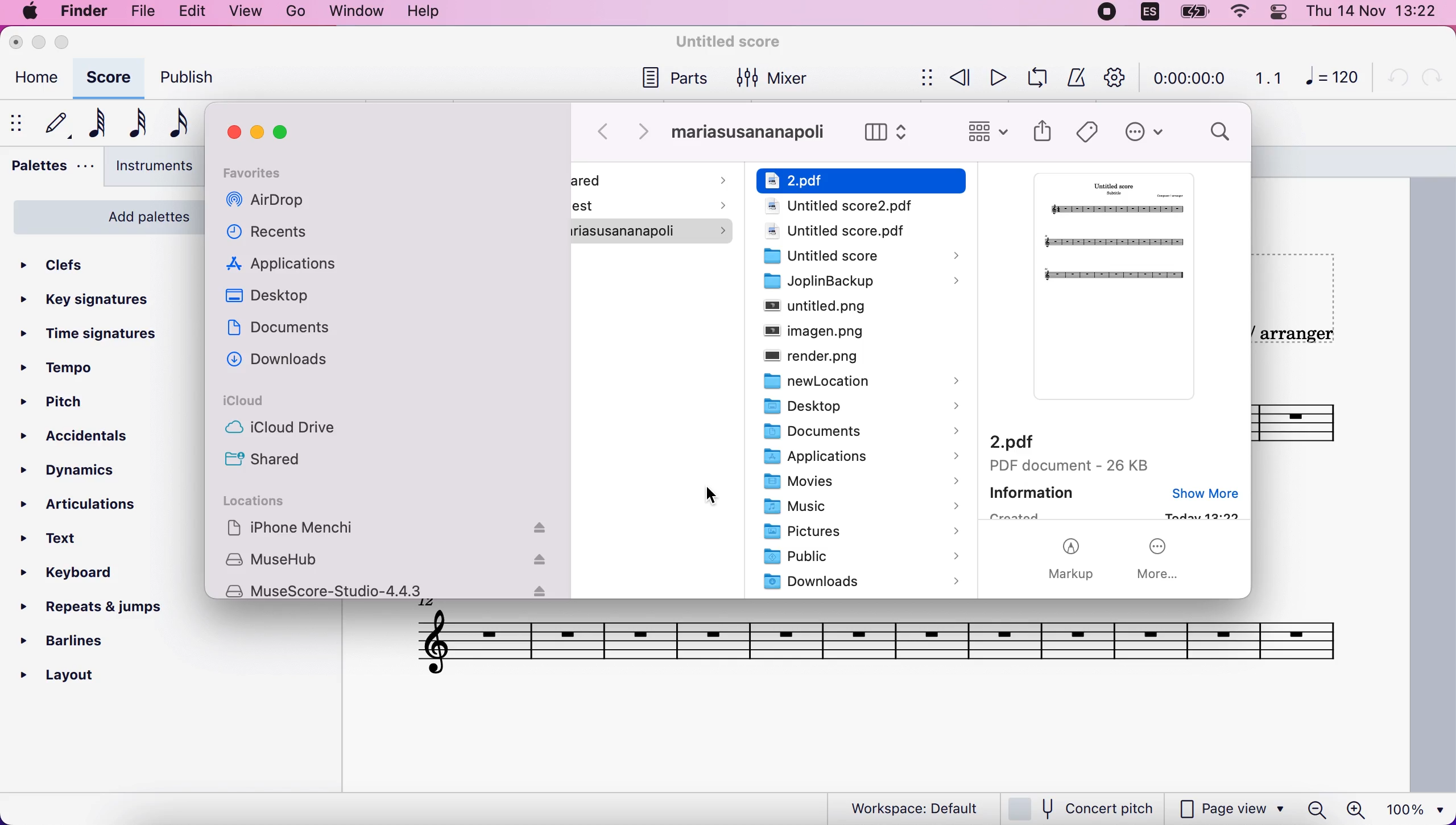 The image size is (1456, 825). What do you see at coordinates (393, 529) in the screenshot?
I see `locations names` at bounding box center [393, 529].